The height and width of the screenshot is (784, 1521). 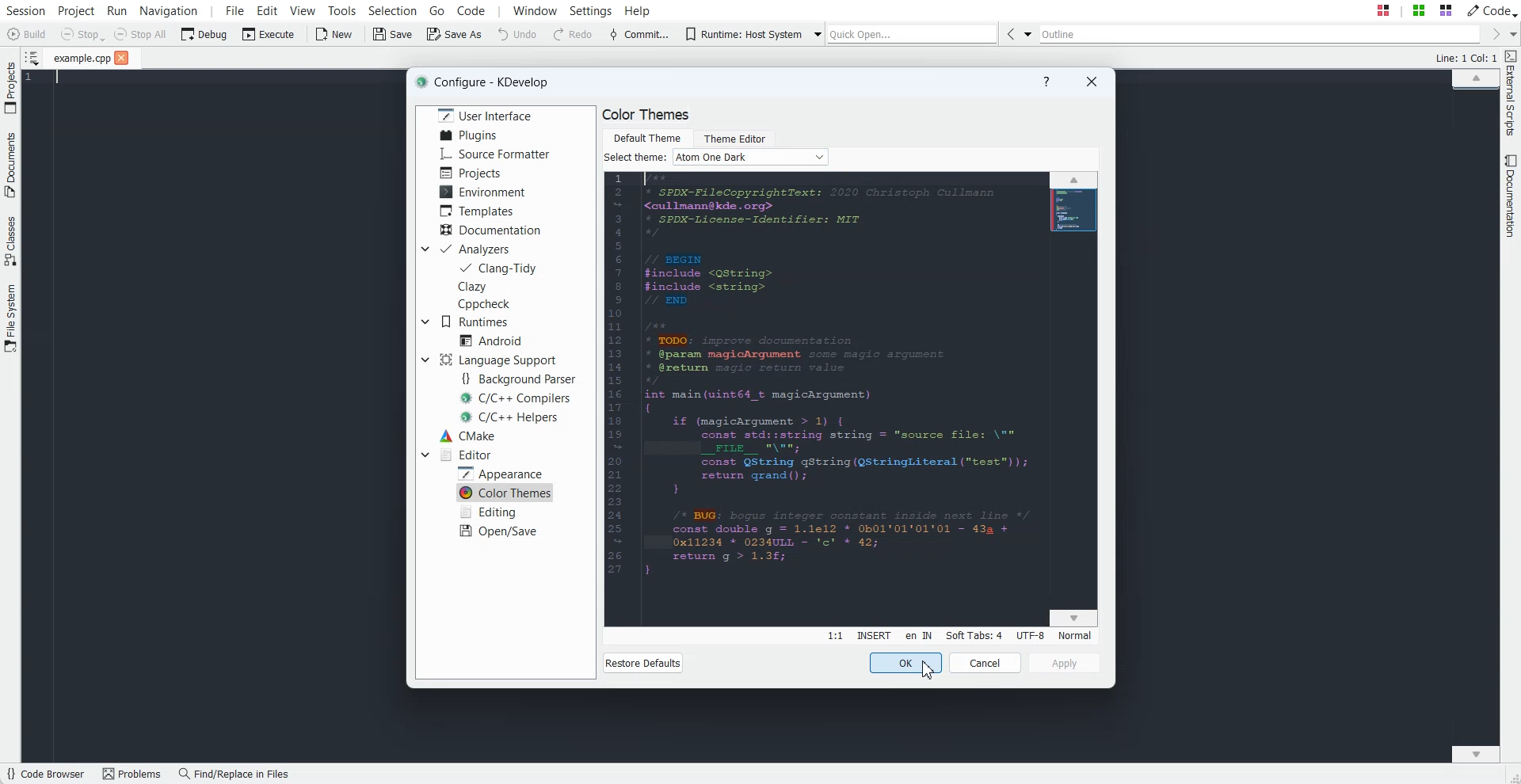 I want to click on Documentation, so click(x=1511, y=196).